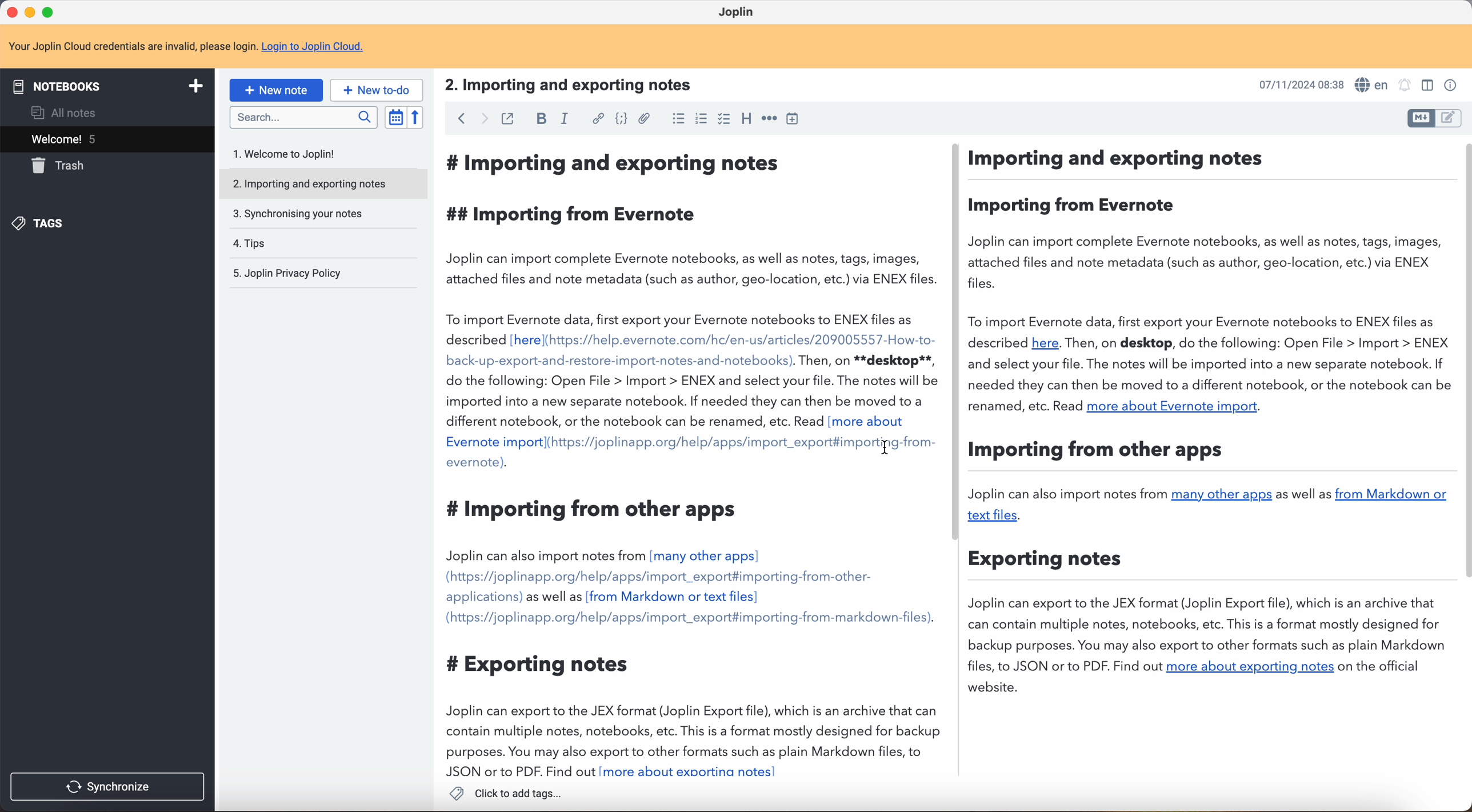 This screenshot has width=1472, height=812. What do you see at coordinates (298, 213) in the screenshot?
I see `synchronising your notes` at bounding box center [298, 213].